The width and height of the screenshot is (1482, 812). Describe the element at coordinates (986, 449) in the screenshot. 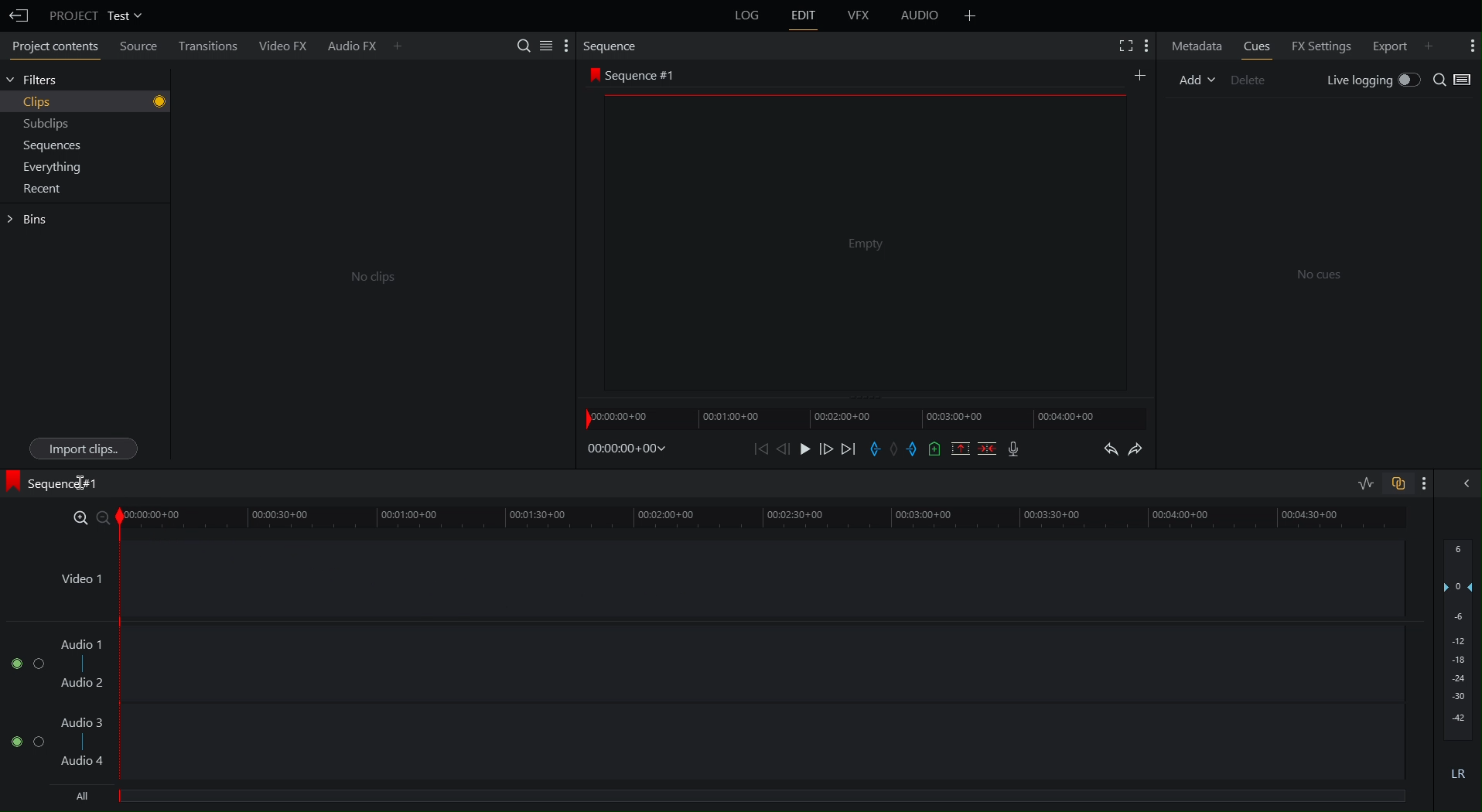

I see `Delete/Cut` at that location.